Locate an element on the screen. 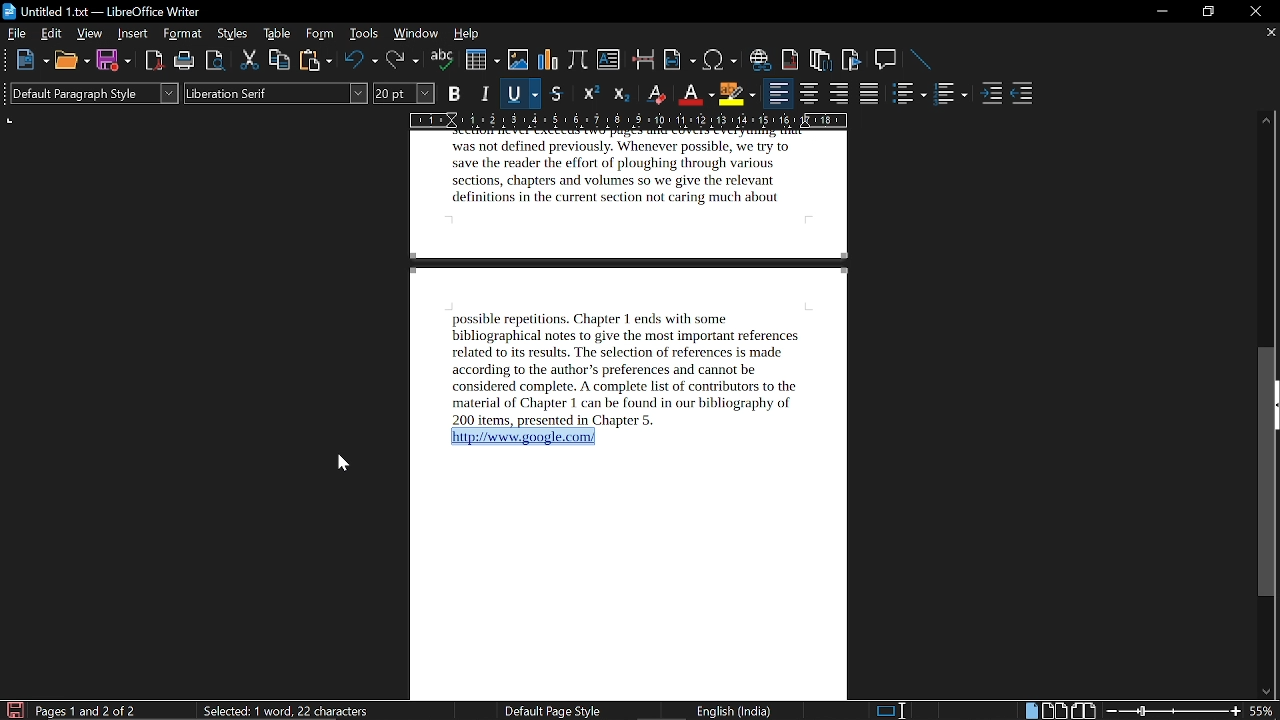 The image size is (1280, 720). increase indent is located at coordinates (991, 95).